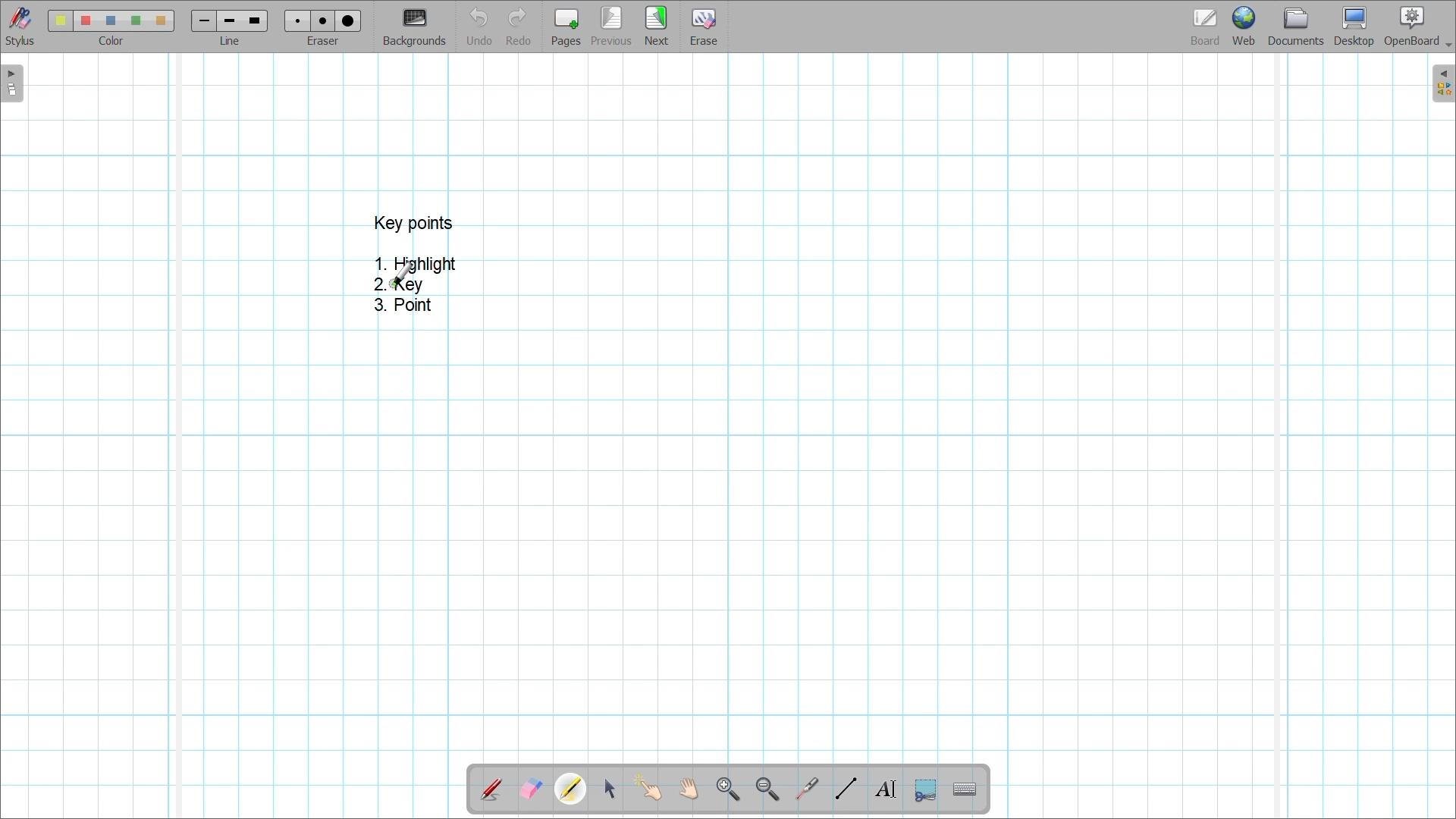 The width and height of the screenshot is (1456, 819). What do you see at coordinates (846, 789) in the screenshot?
I see `Draw lines` at bounding box center [846, 789].